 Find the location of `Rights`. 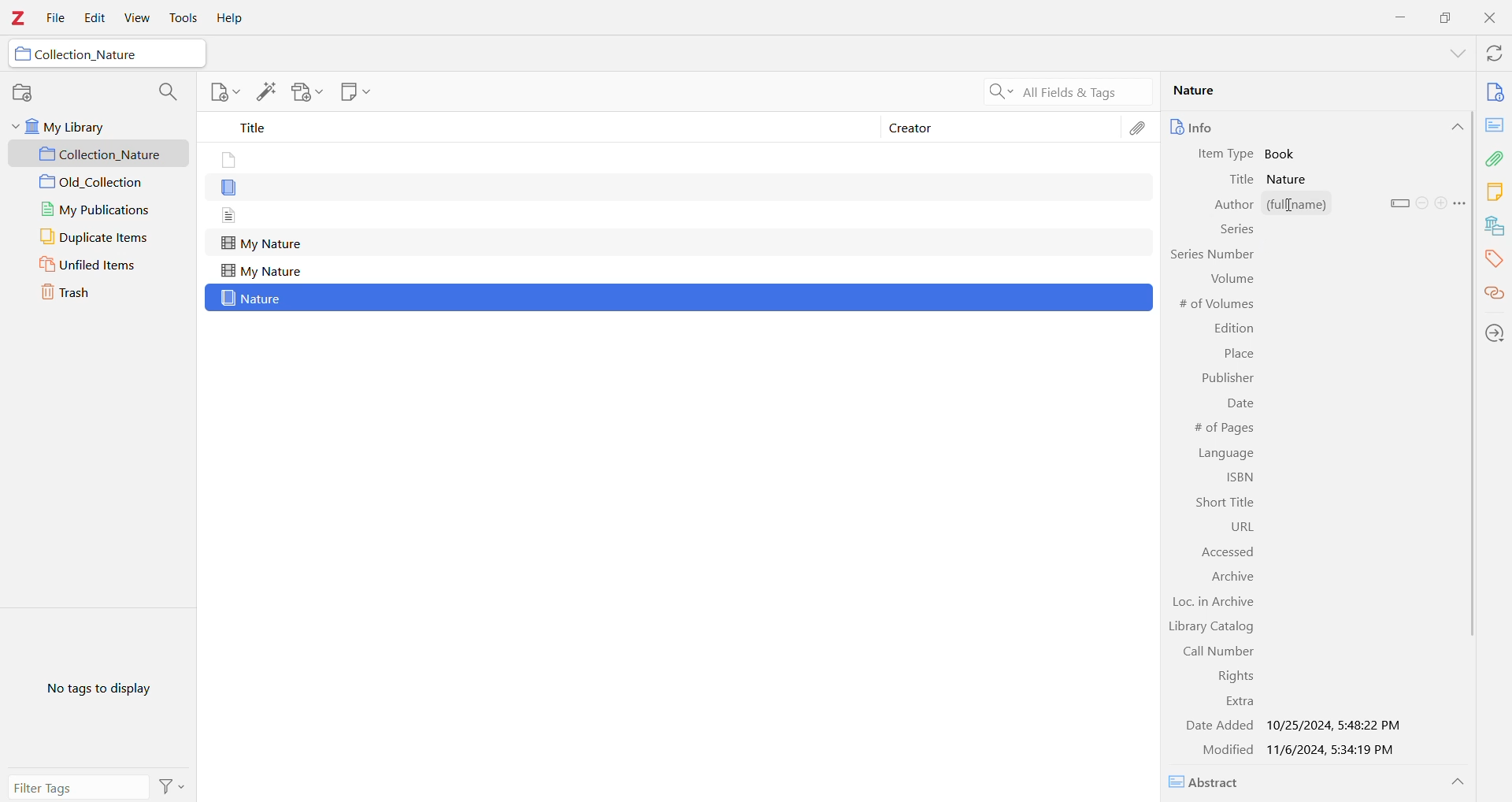

Rights is located at coordinates (1231, 676).